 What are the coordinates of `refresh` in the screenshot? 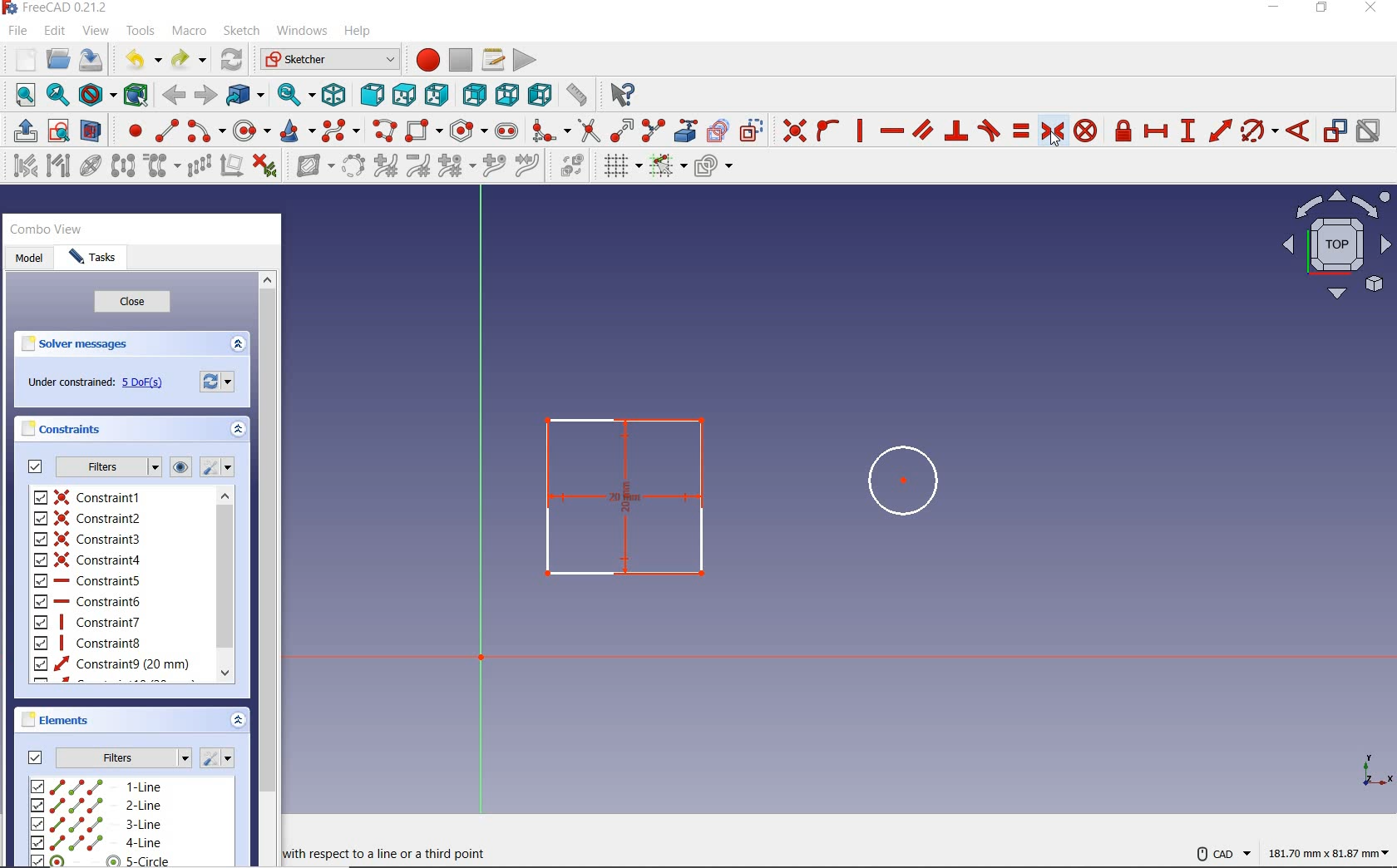 It's located at (233, 60).